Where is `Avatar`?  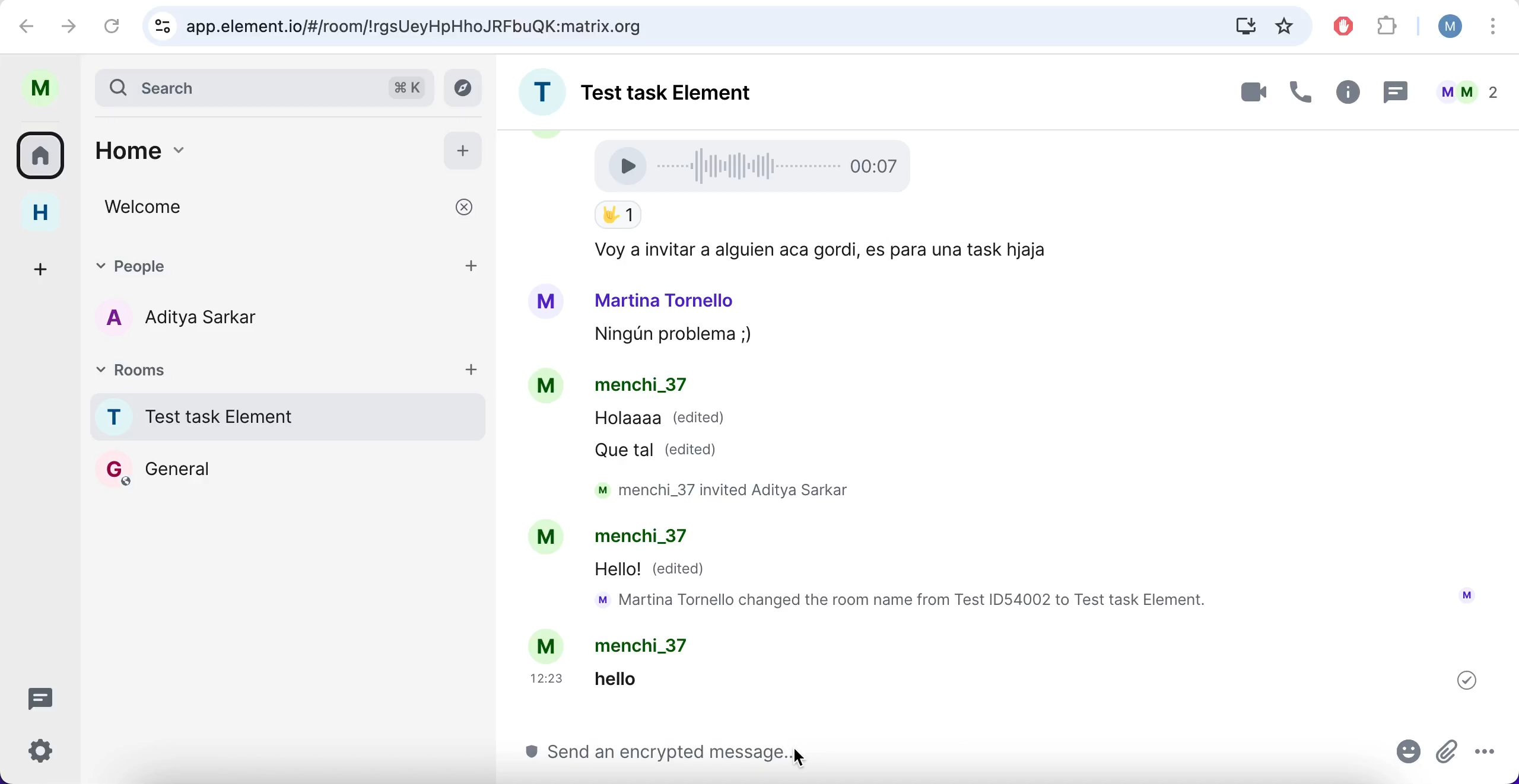
Avatar is located at coordinates (548, 388).